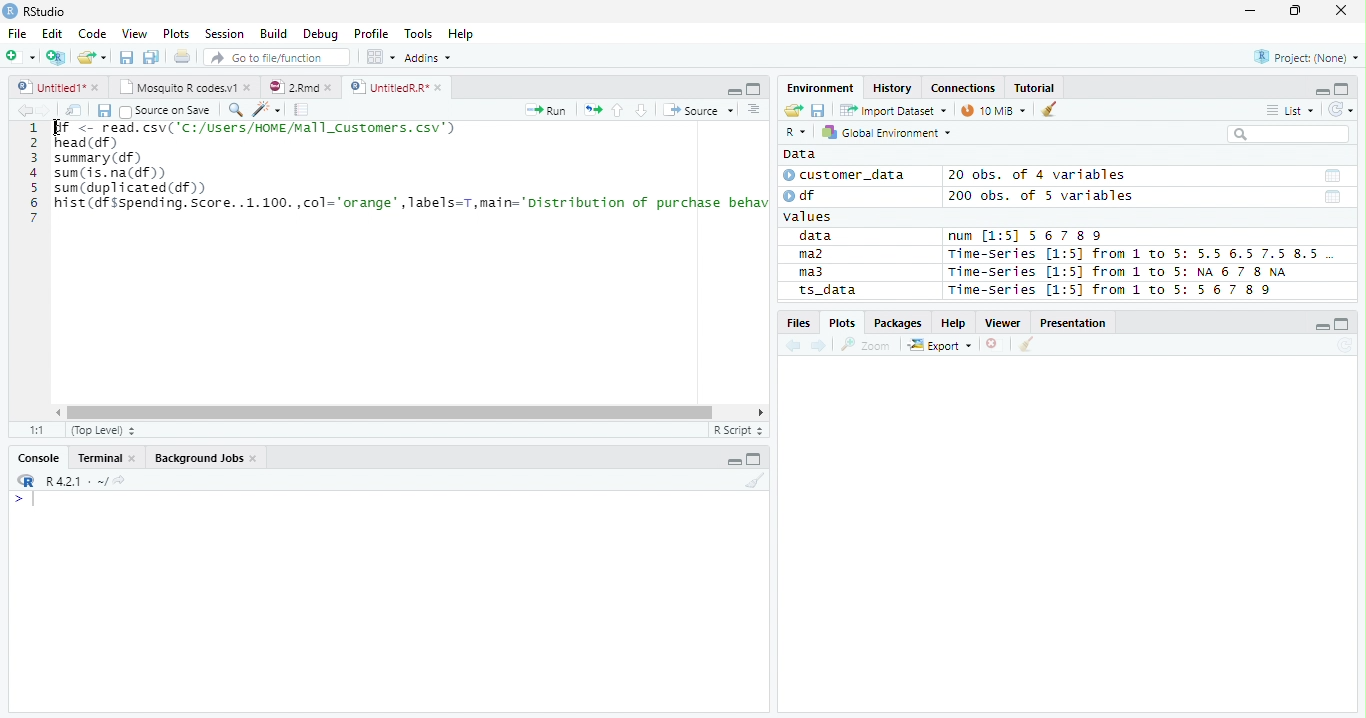 The height and width of the screenshot is (718, 1366). What do you see at coordinates (798, 323) in the screenshot?
I see `Files` at bounding box center [798, 323].